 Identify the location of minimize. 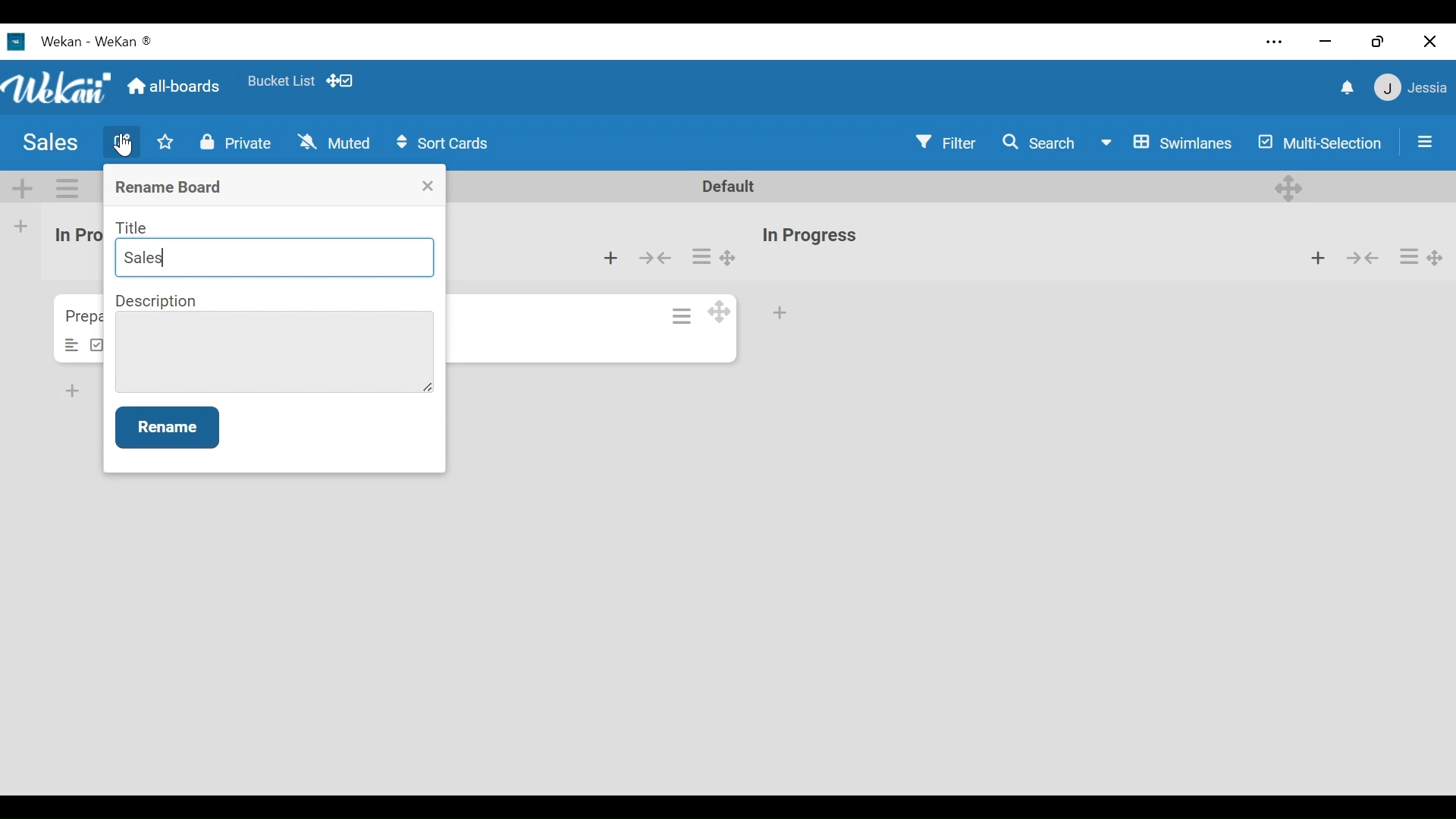
(1326, 40).